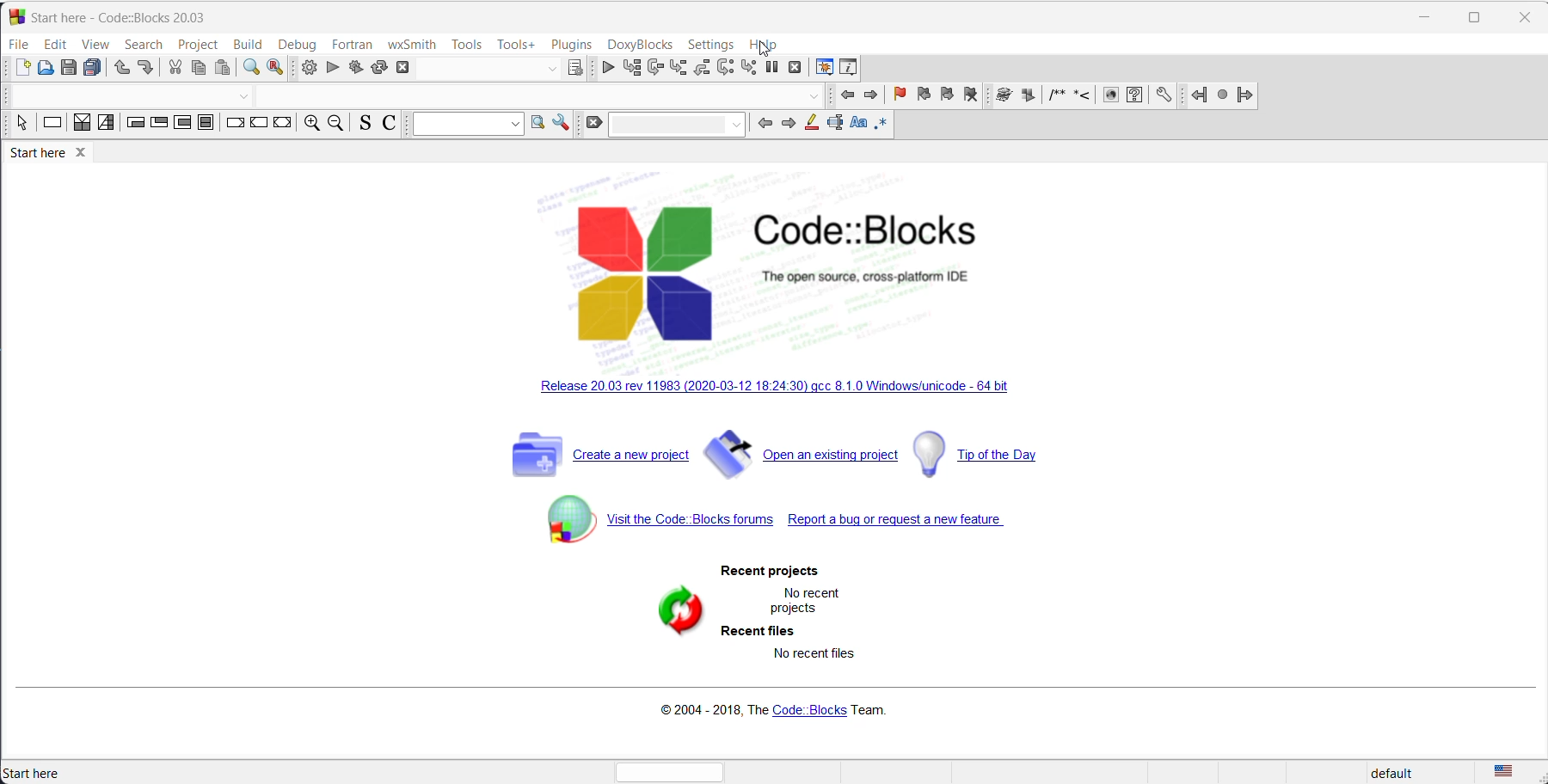 The height and width of the screenshot is (784, 1548). I want to click on dropdown button, so click(242, 95).